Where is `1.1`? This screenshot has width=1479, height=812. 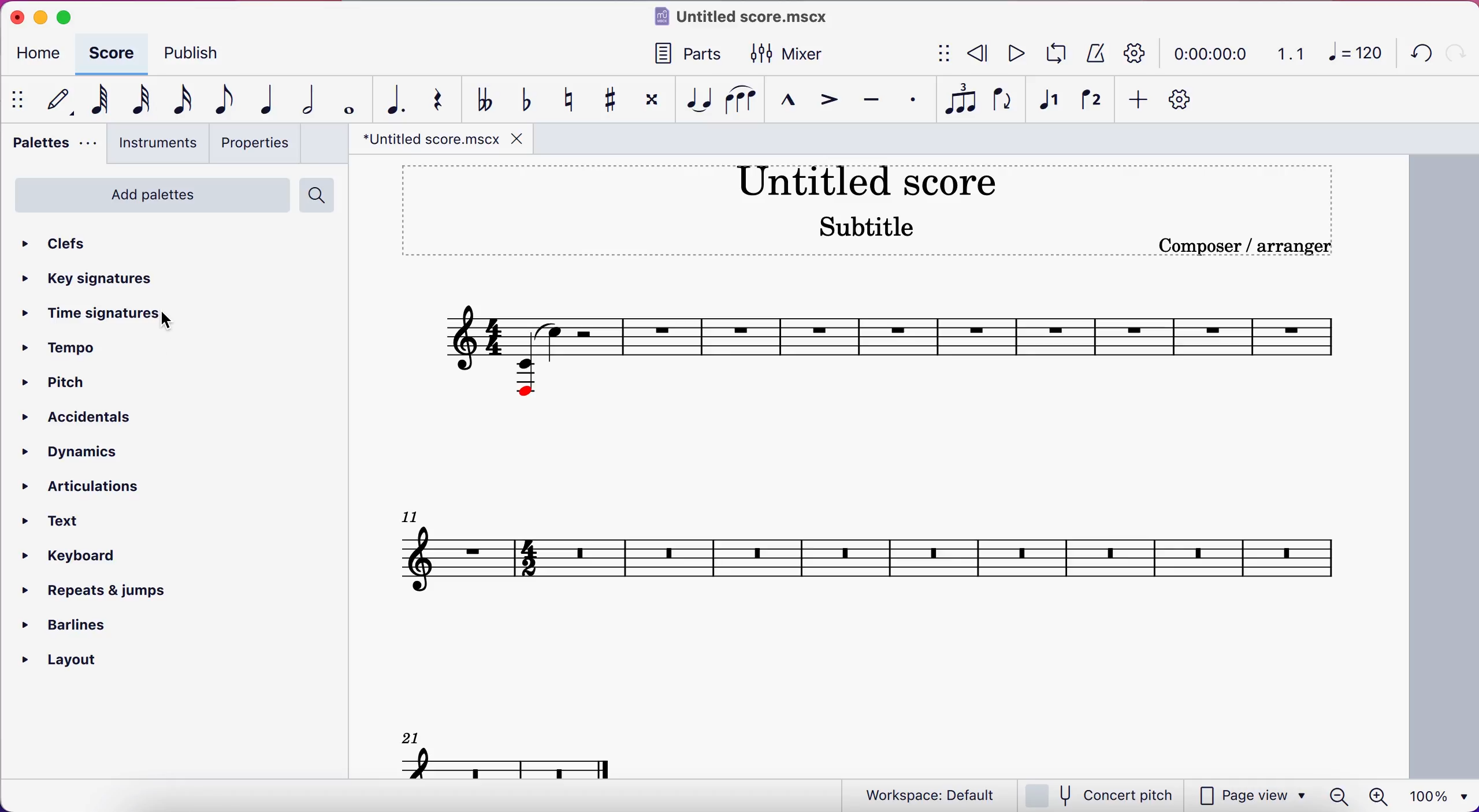 1.1 is located at coordinates (1287, 54).